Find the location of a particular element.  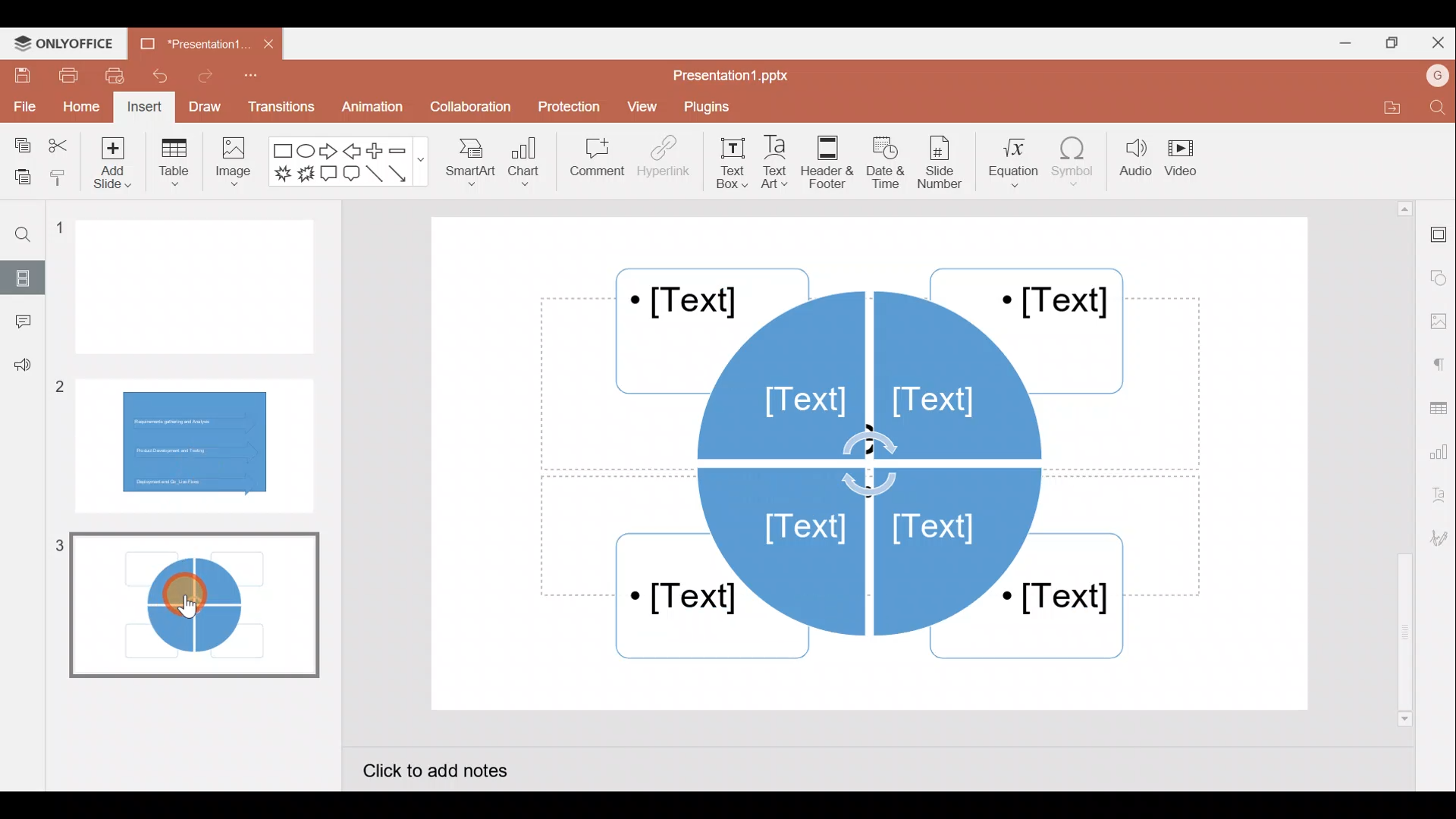

Cut is located at coordinates (58, 142).